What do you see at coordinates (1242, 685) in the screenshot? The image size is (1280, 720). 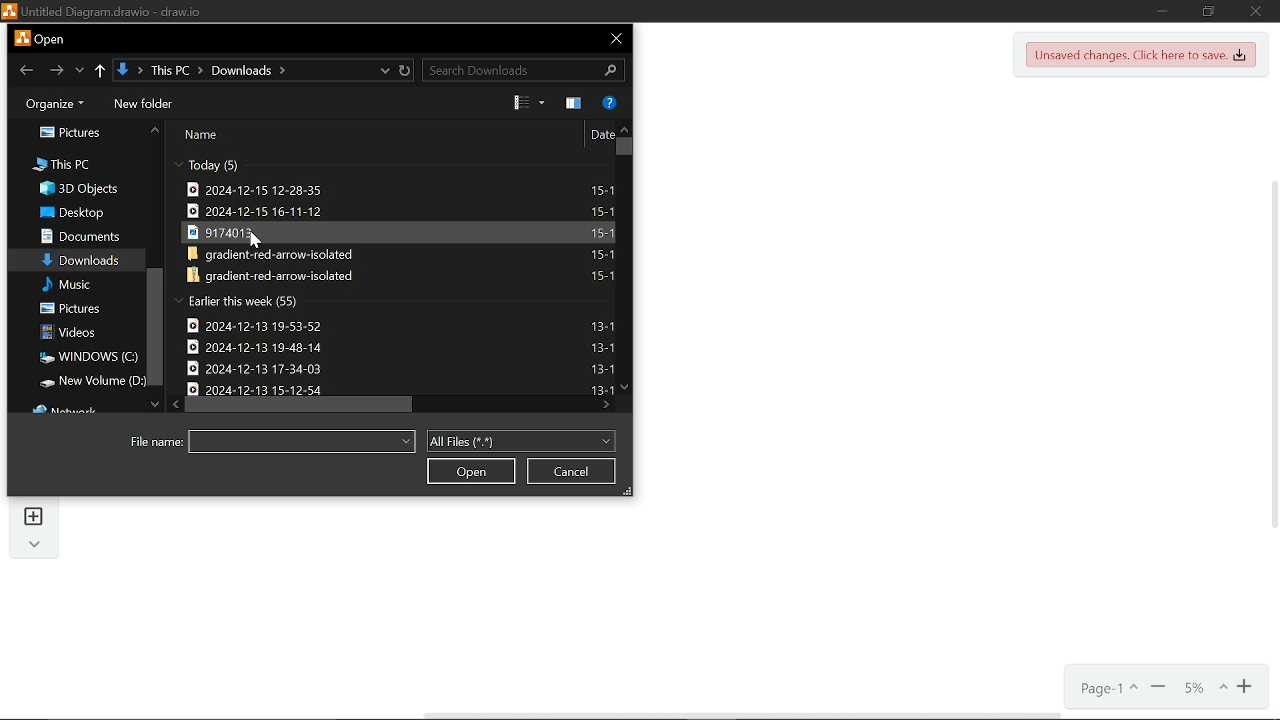 I see `Zoom in` at bounding box center [1242, 685].